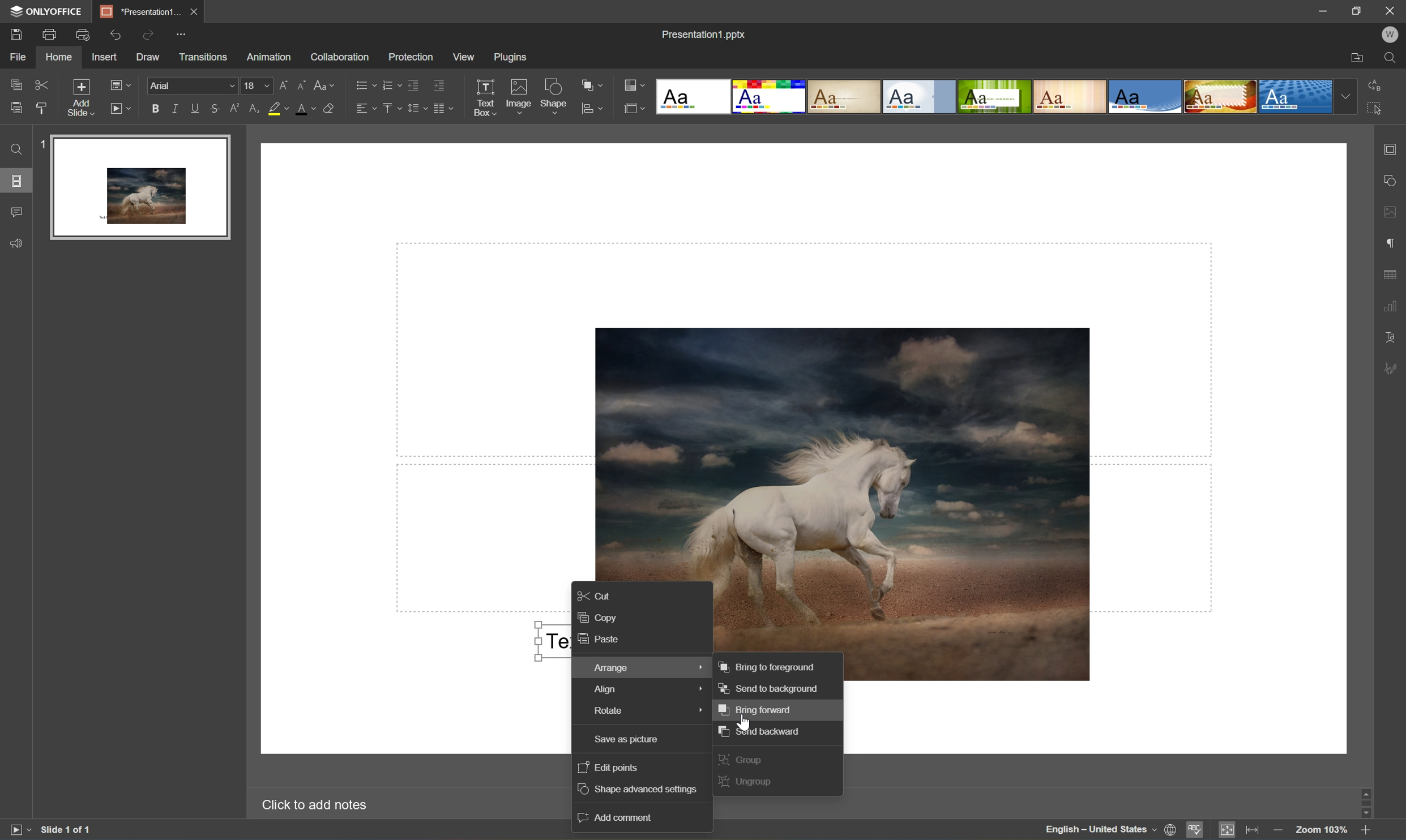 The image size is (1406, 840). I want to click on Click to add notes, so click(320, 807).